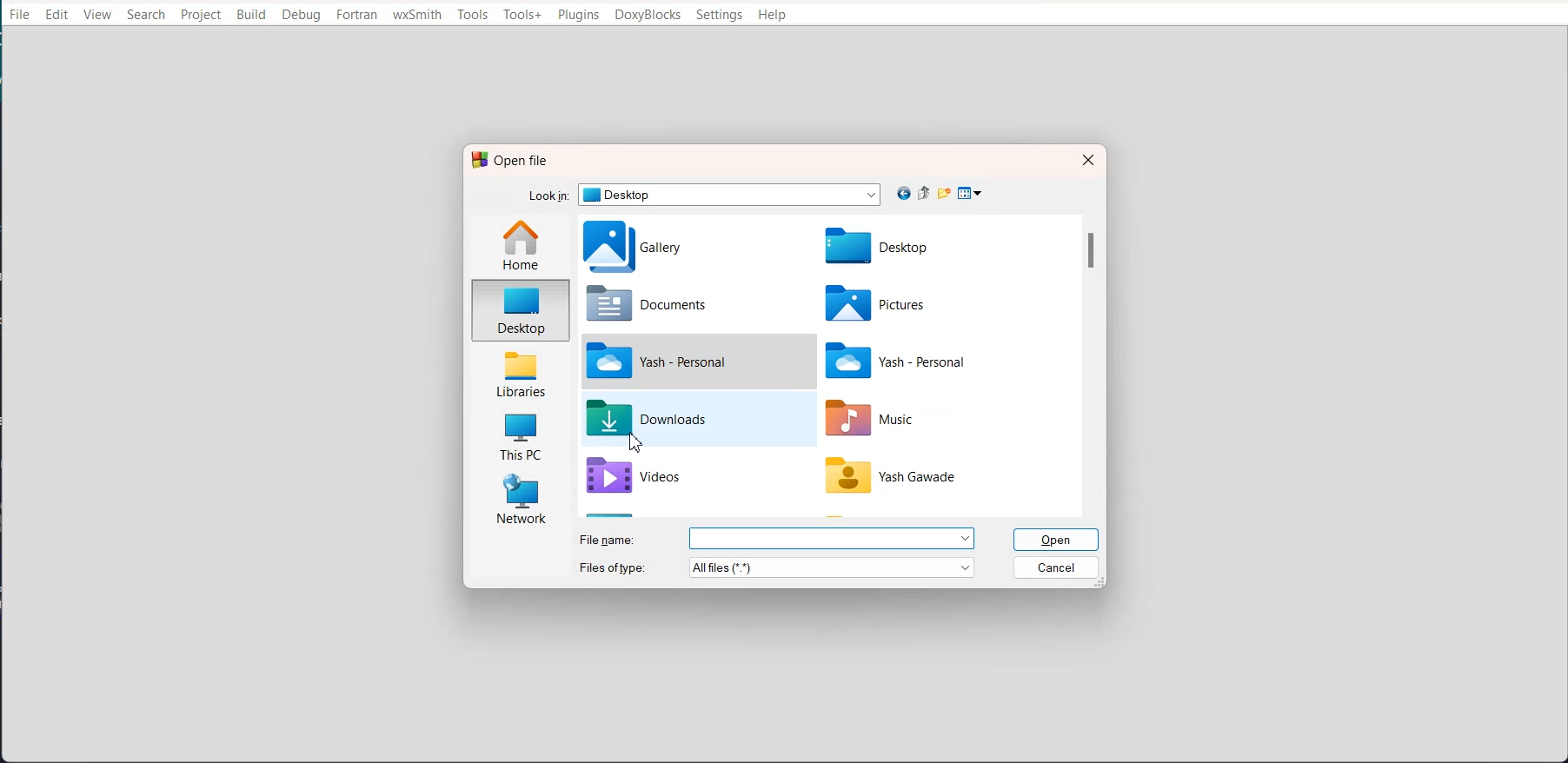 This screenshot has width=1568, height=763. I want to click on Up one level, so click(927, 193).